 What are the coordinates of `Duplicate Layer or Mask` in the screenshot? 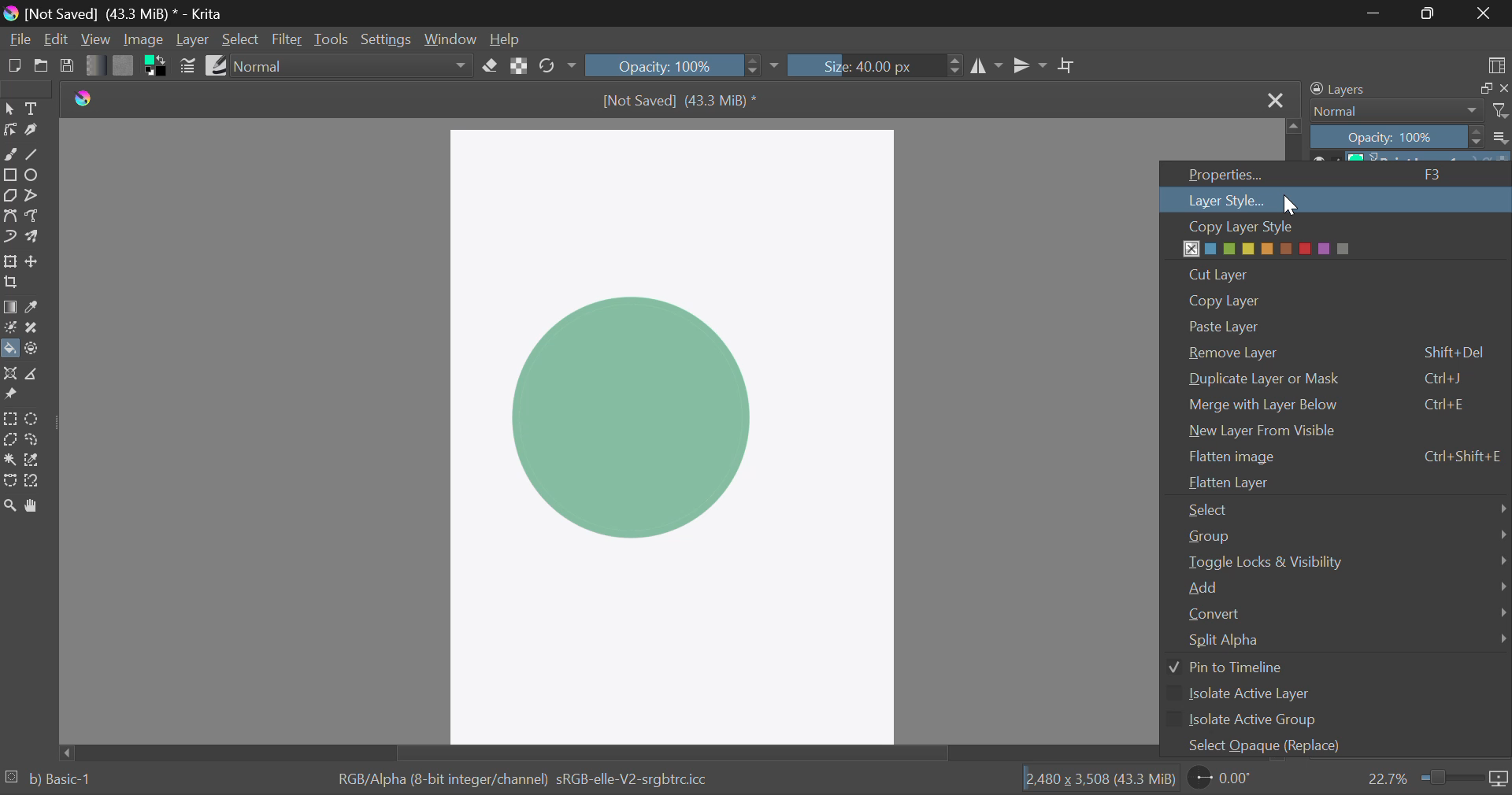 It's located at (1338, 379).